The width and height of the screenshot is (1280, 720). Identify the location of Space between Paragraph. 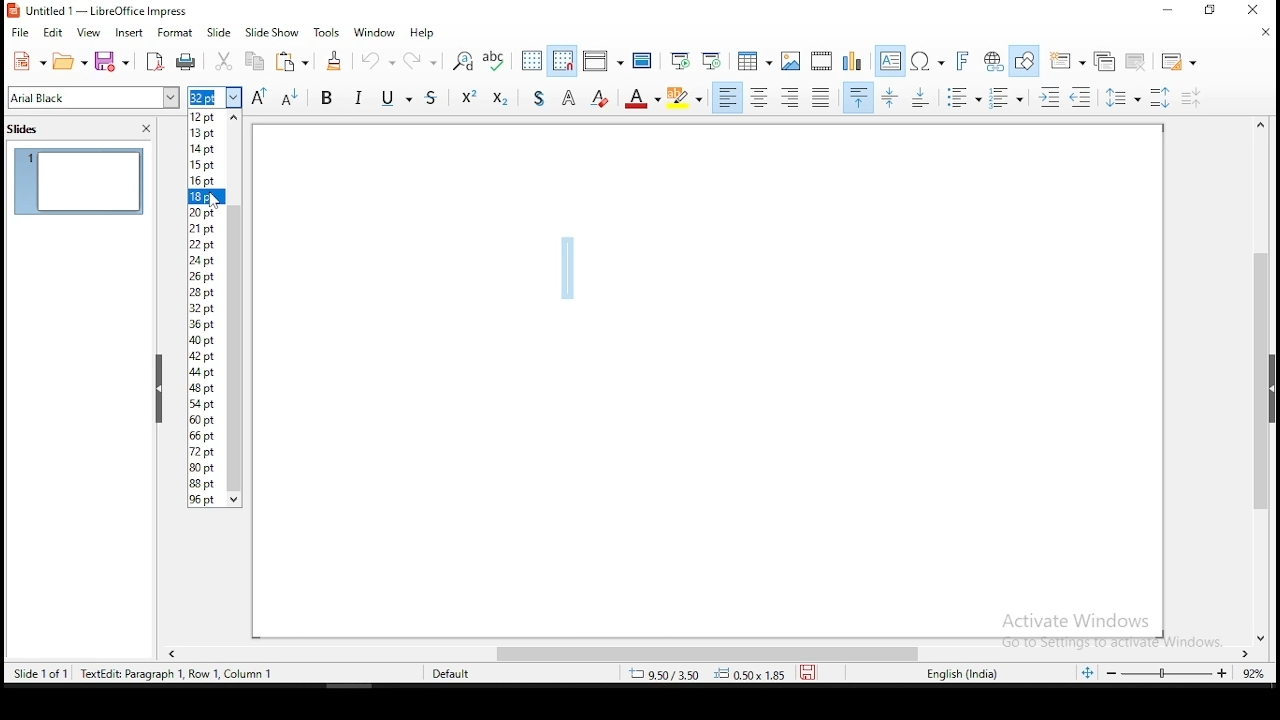
(891, 97).